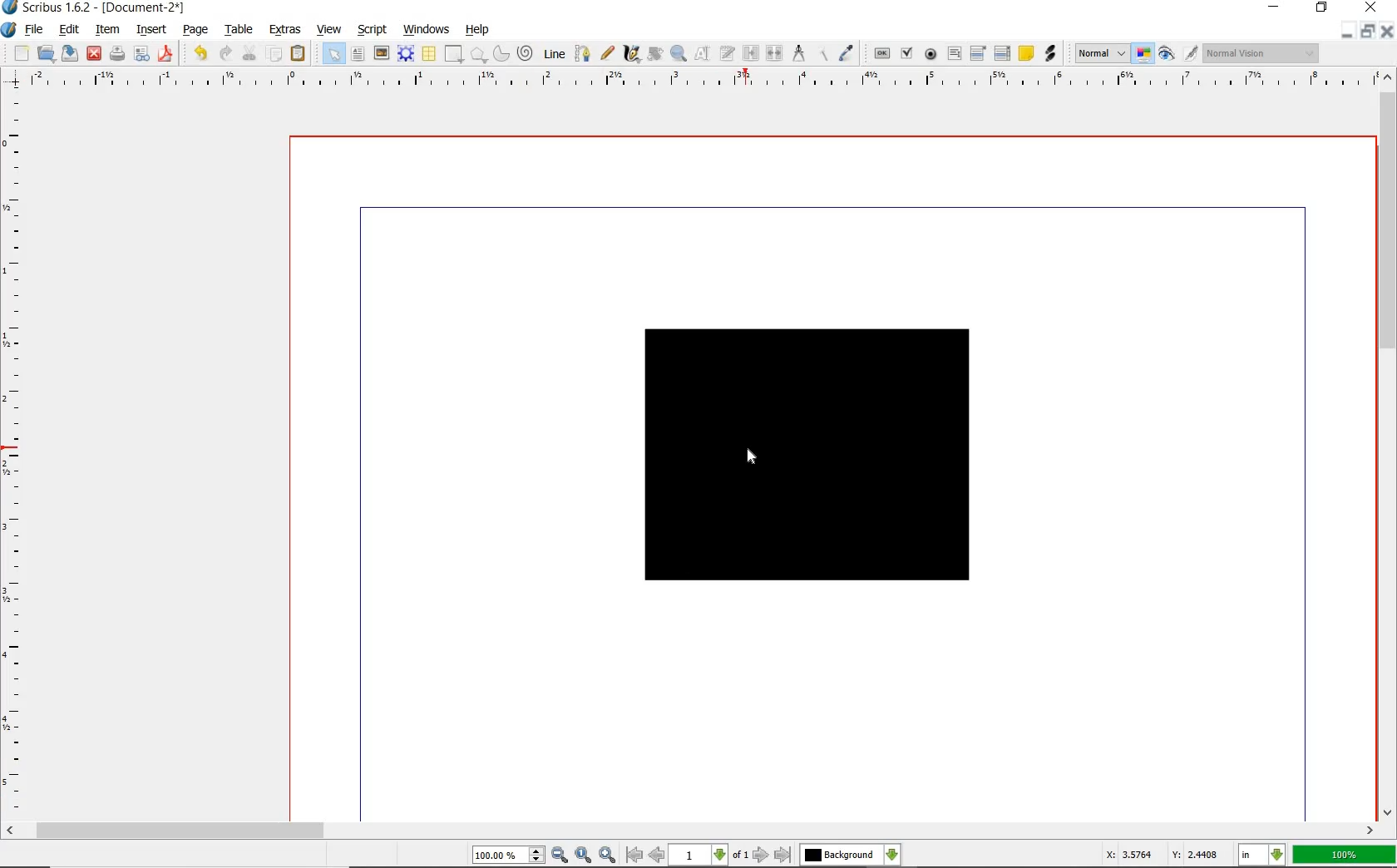 This screenshot has height=868, width=1397. Describe the element at coordinates (429, 53) in the screenshot. I see `table` at that location.